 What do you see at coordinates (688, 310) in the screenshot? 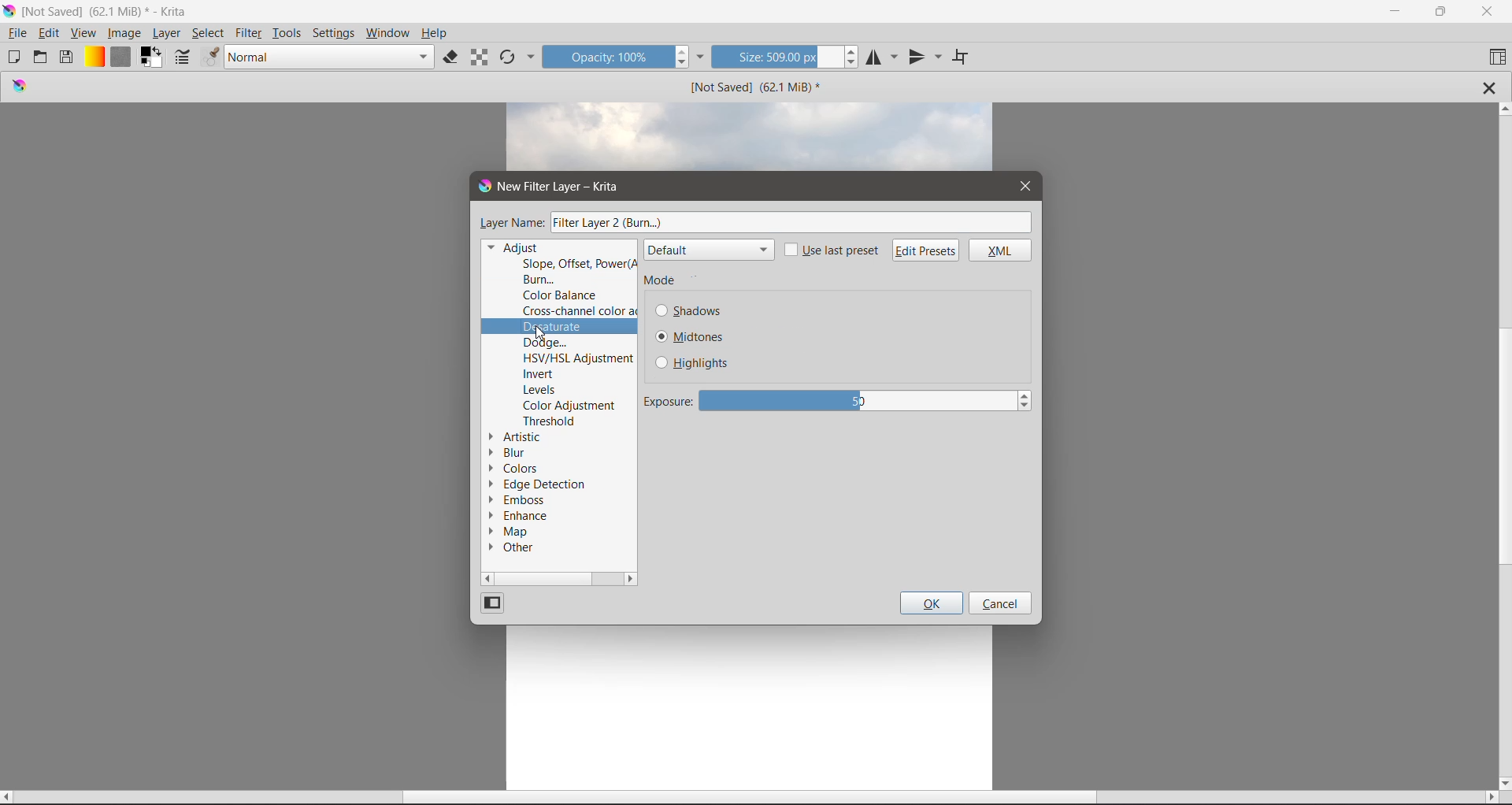
I see `Shadows` at bounding box center [688, 310].